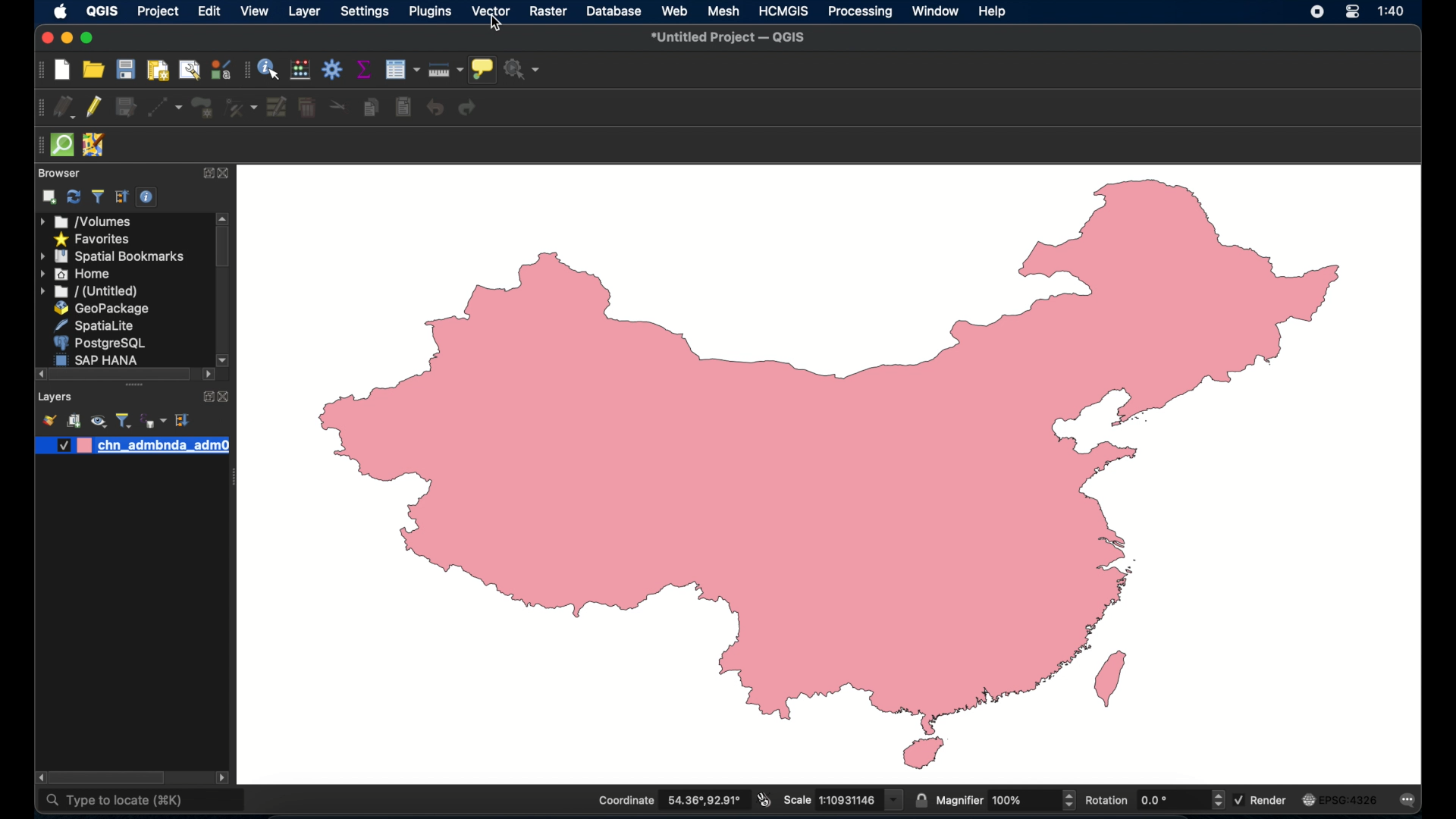 Image resolution: width=1456 pixels, height=819 pixels. I want to click on save edits, so click(125, 108).